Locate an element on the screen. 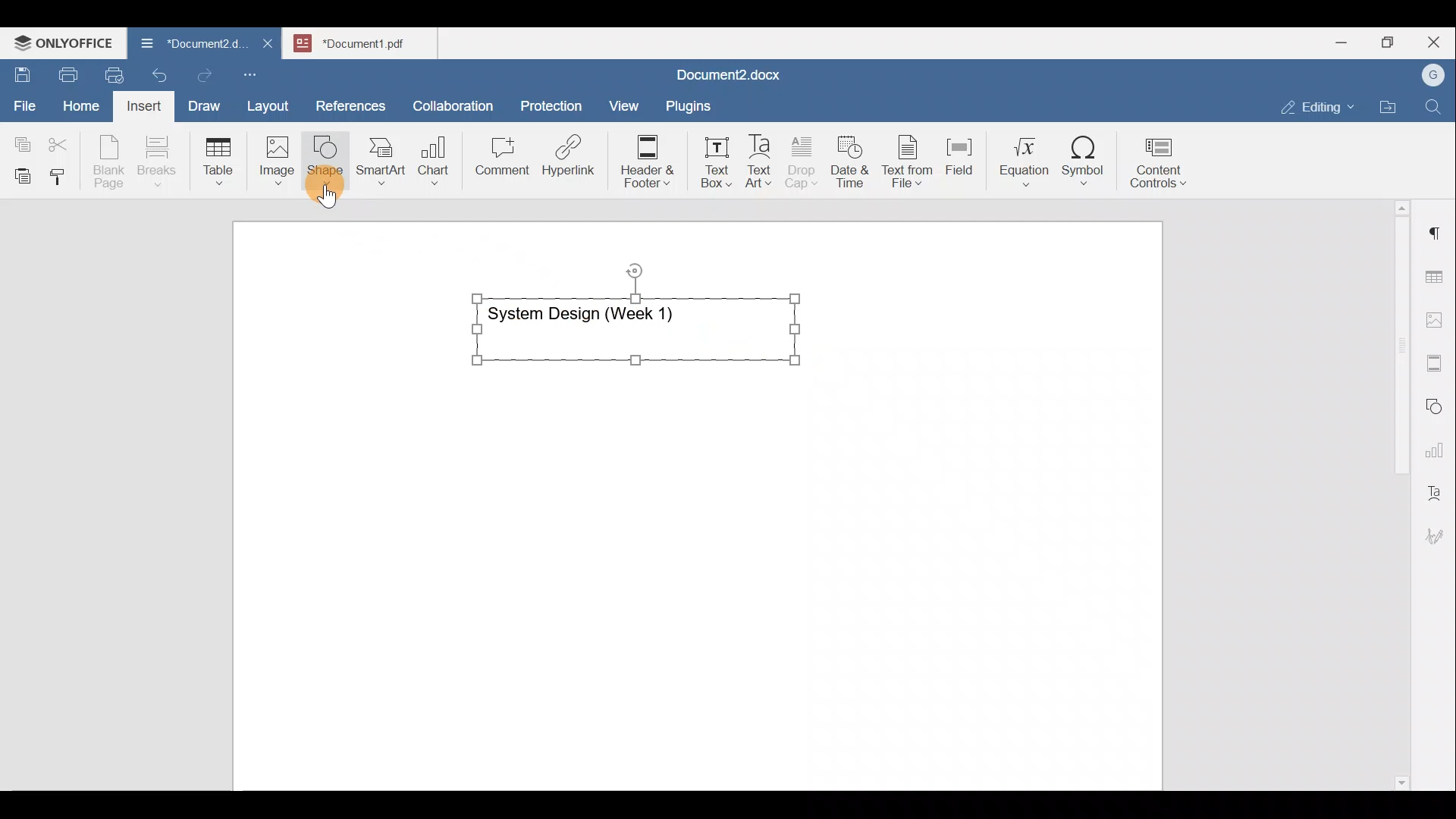 The image size is (1456, 819). Paste is located at coordinates (19, 172).